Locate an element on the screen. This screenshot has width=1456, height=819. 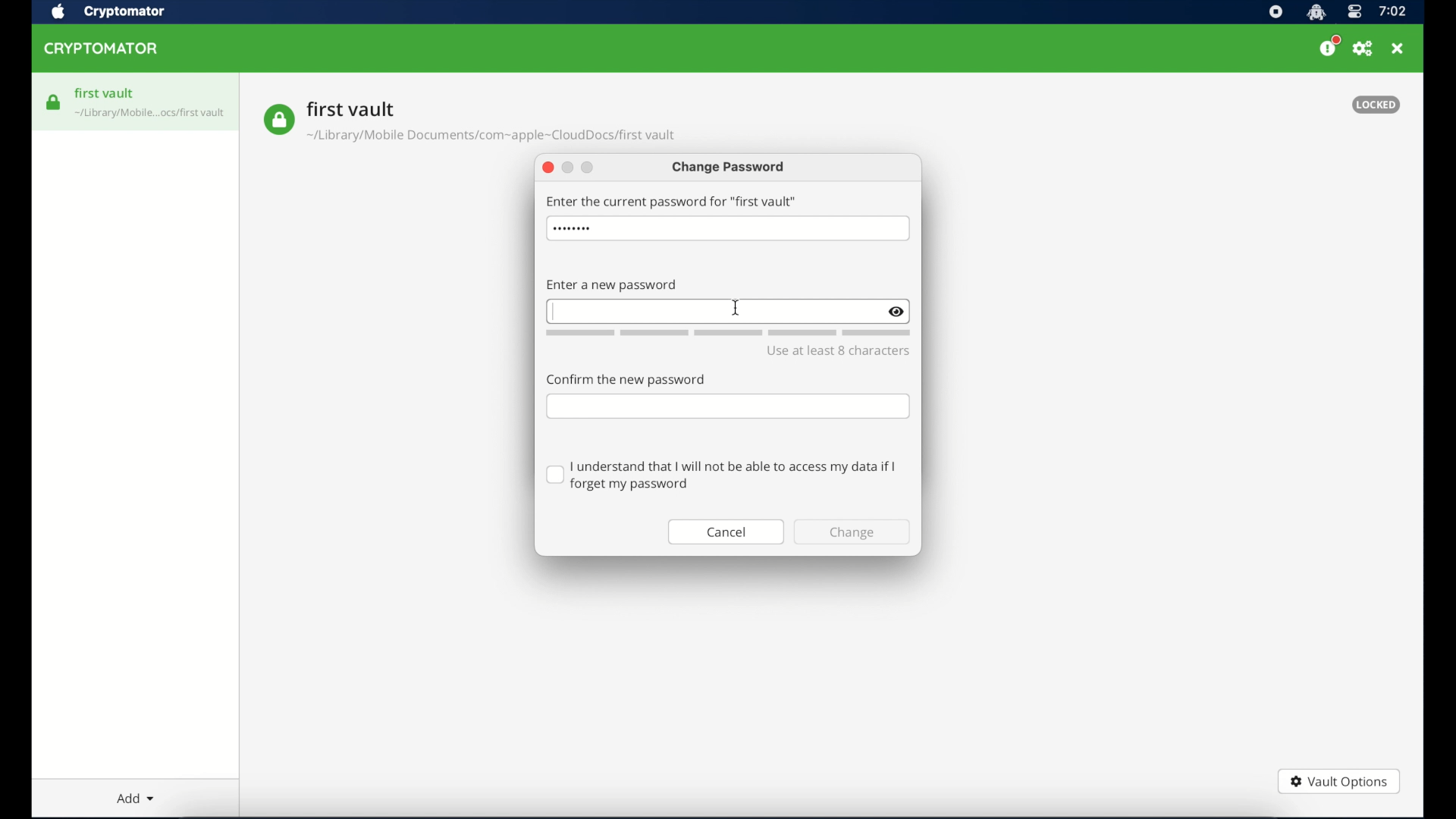
cancel is located at coordinates (726, 532).